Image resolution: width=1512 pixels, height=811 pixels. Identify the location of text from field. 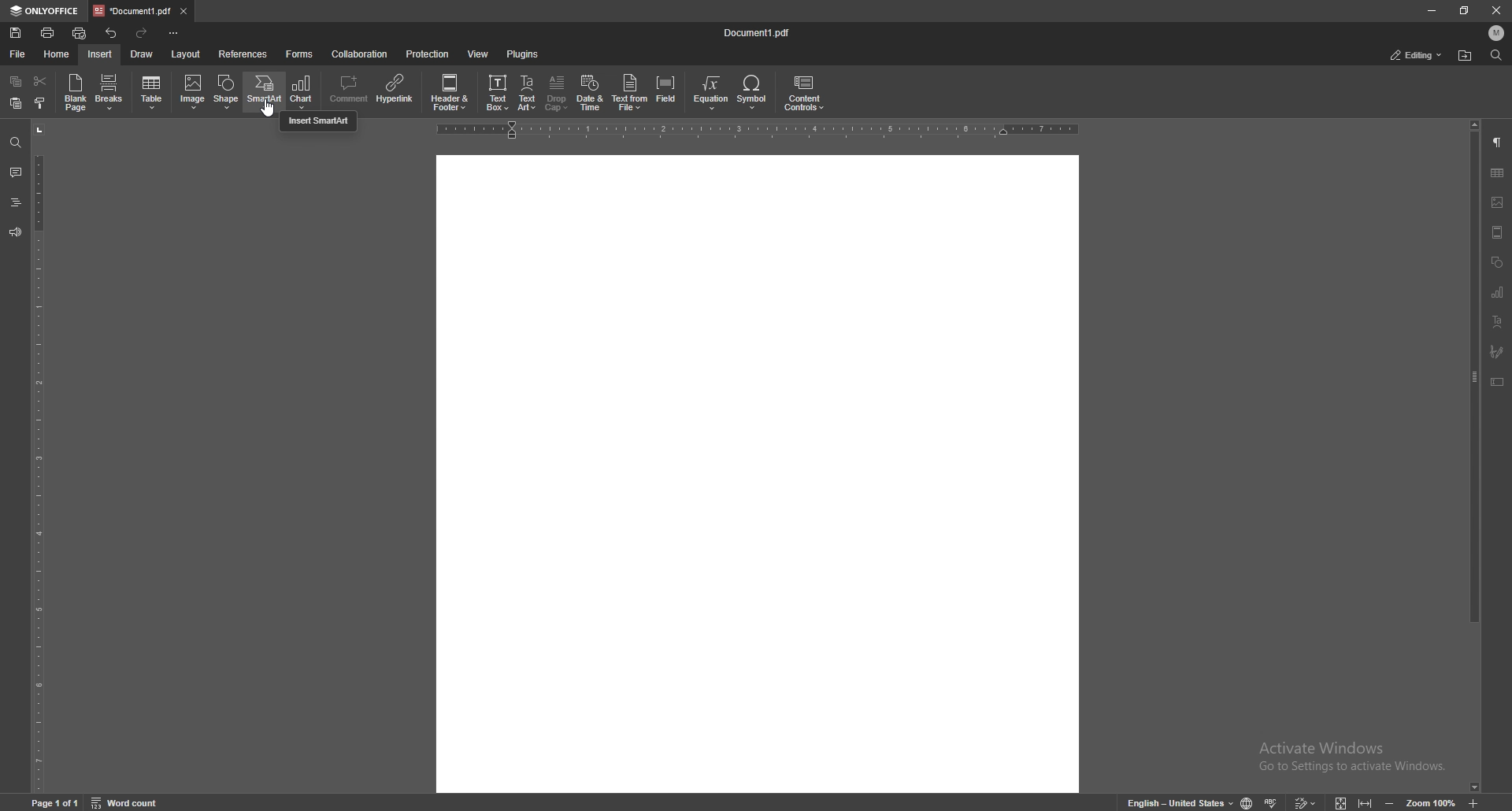
(630, 91).